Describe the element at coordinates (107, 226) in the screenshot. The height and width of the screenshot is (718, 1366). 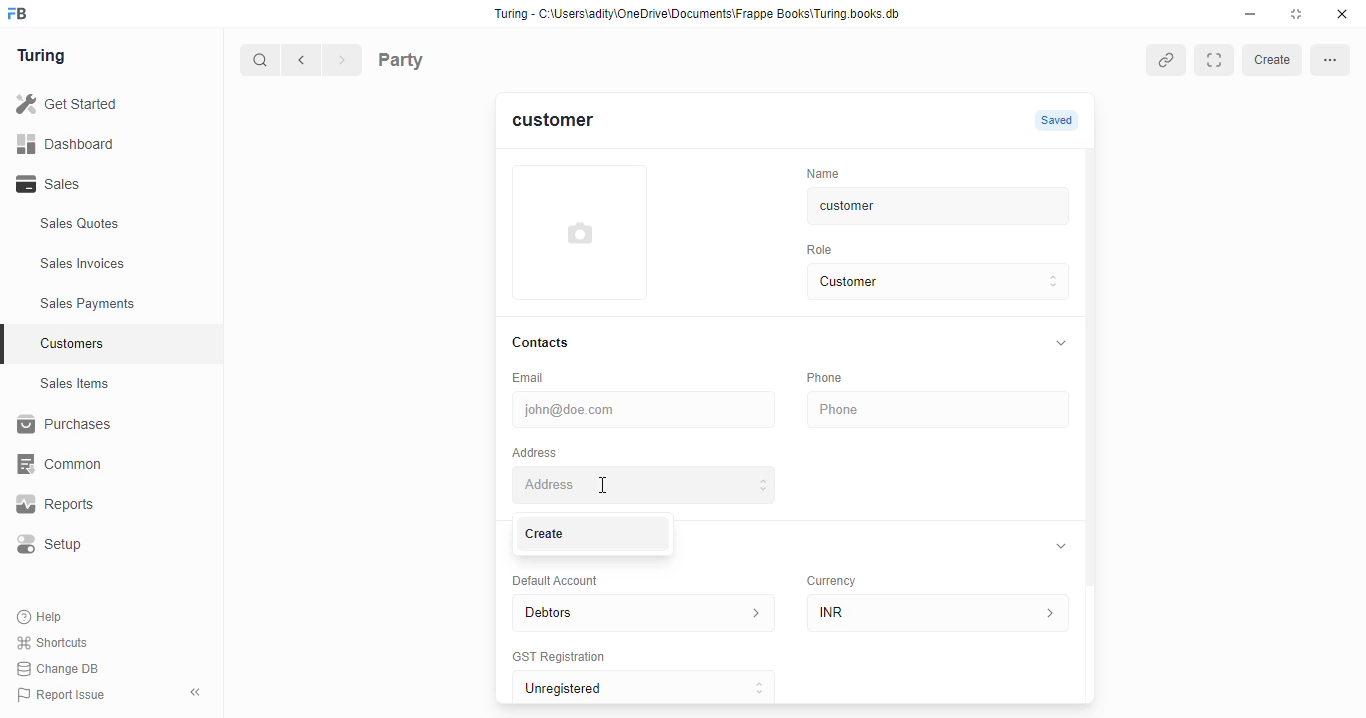
I see `Sales Quotes` at that location.